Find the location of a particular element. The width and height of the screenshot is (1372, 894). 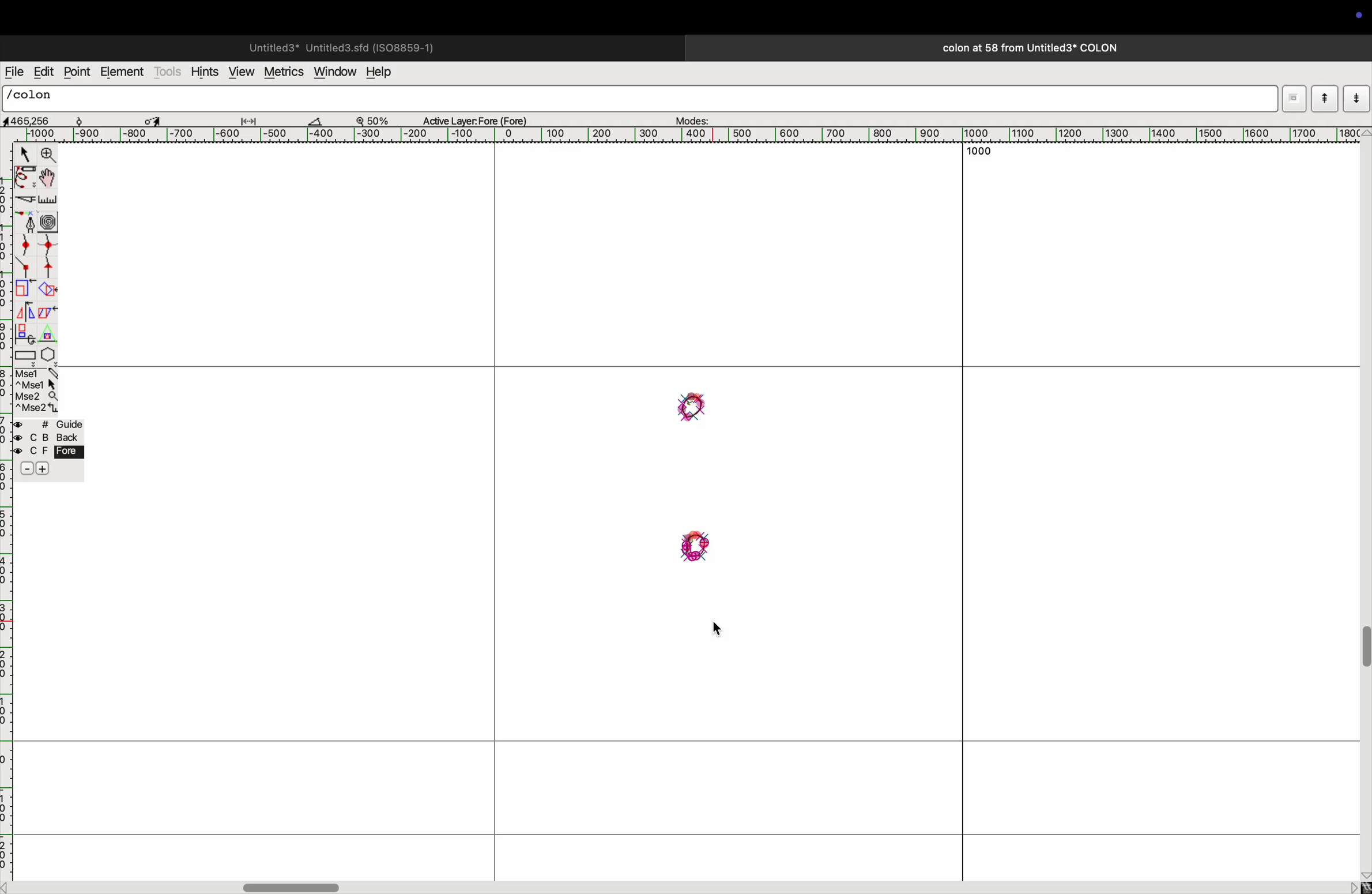

point is located at coordinates (79, 73).